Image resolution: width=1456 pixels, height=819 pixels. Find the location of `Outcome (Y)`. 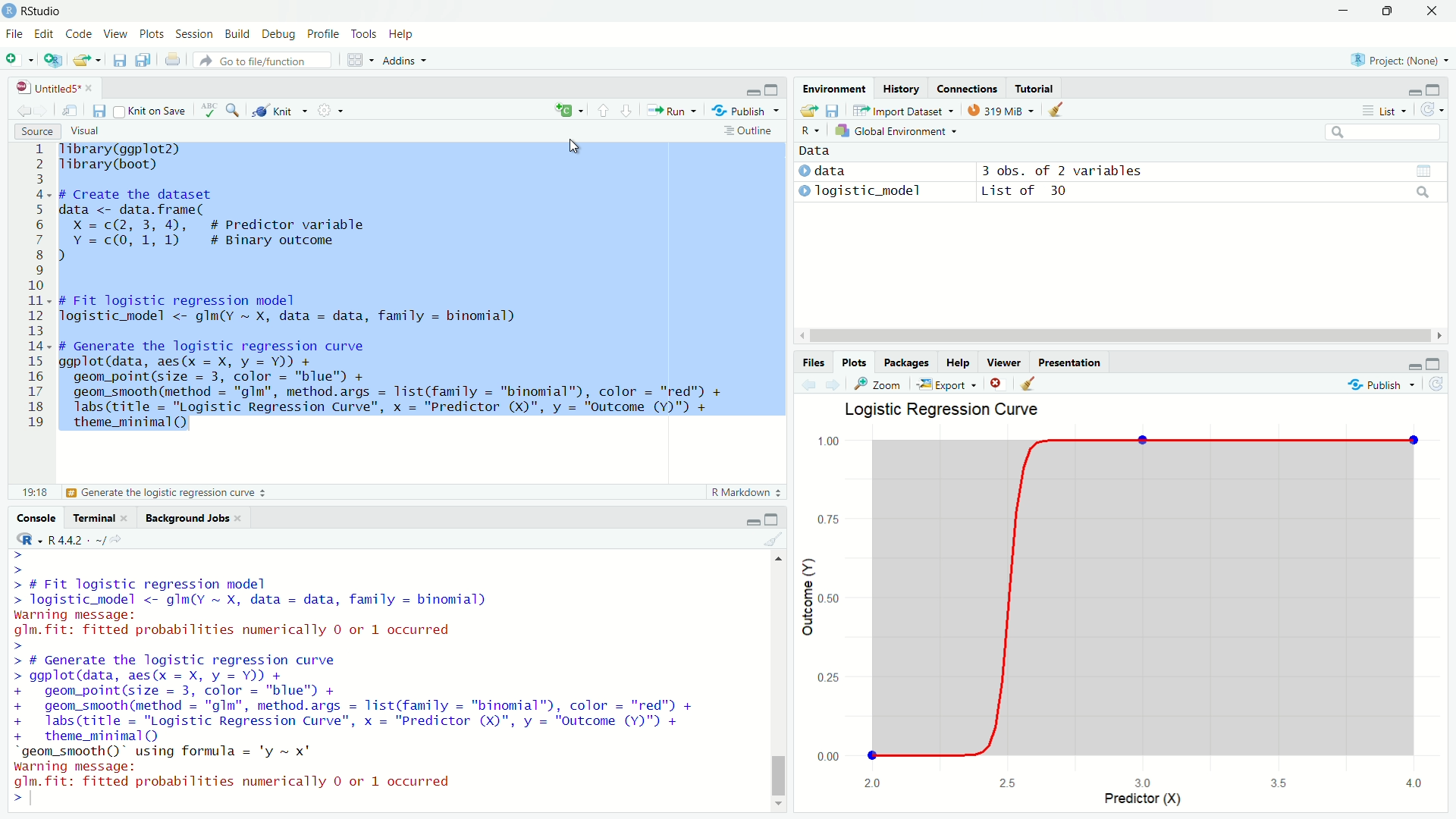

Outcome (Y) is located at coordinates (807, 598).